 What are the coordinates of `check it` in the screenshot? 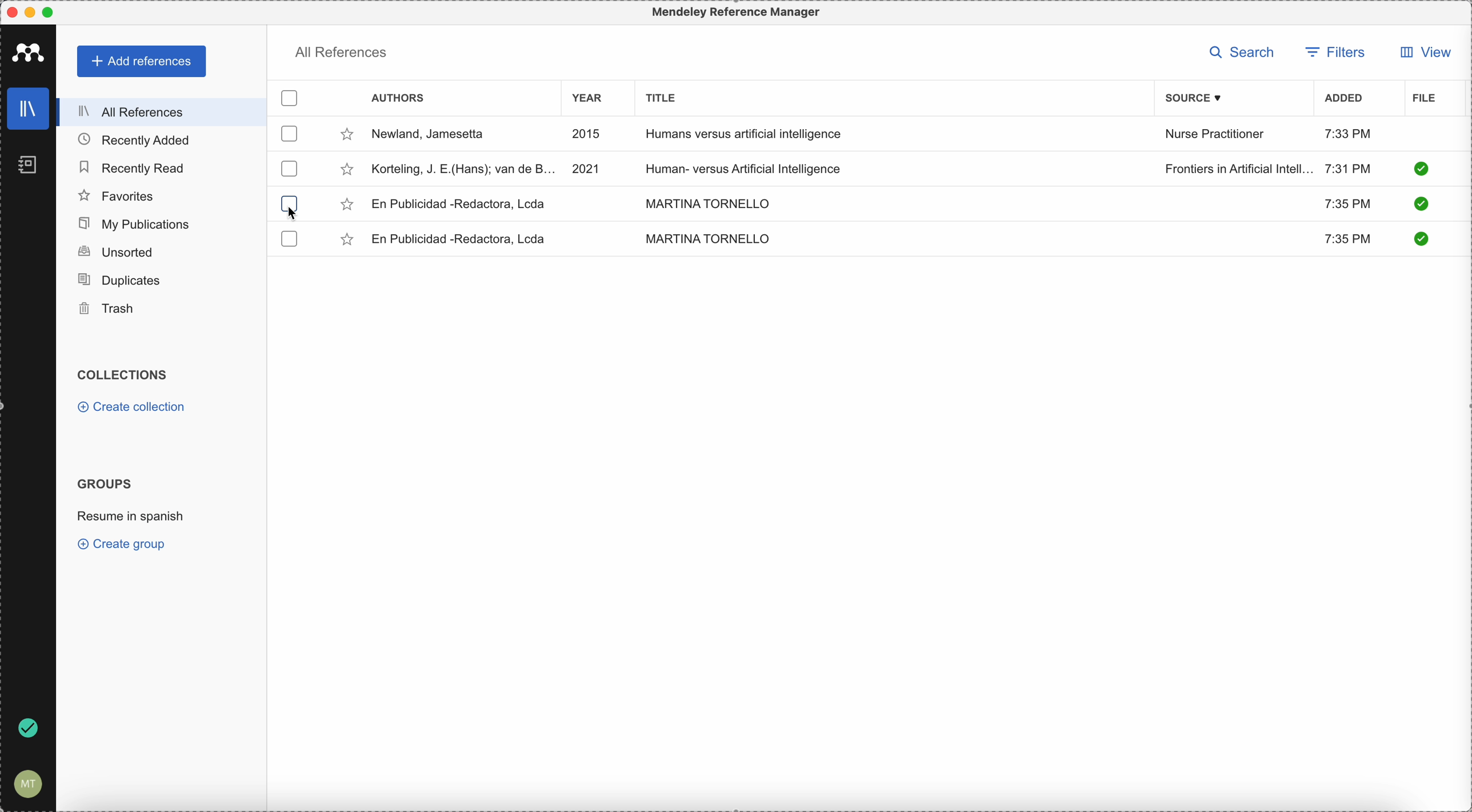 It's located at (1421, 169).